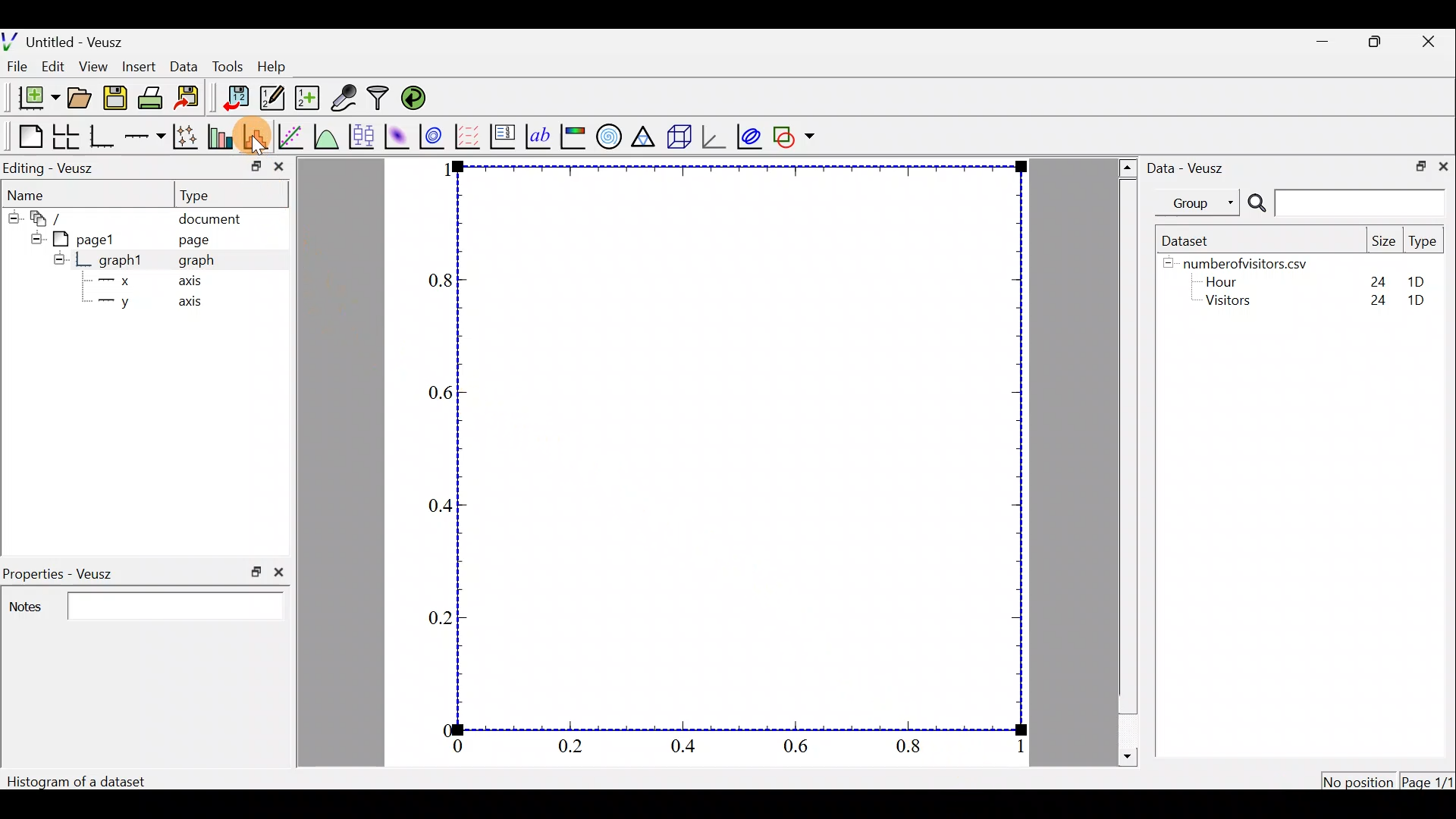 This screenshot has height=819, width=1456. I want to click on Filter data, so click(378, 97).